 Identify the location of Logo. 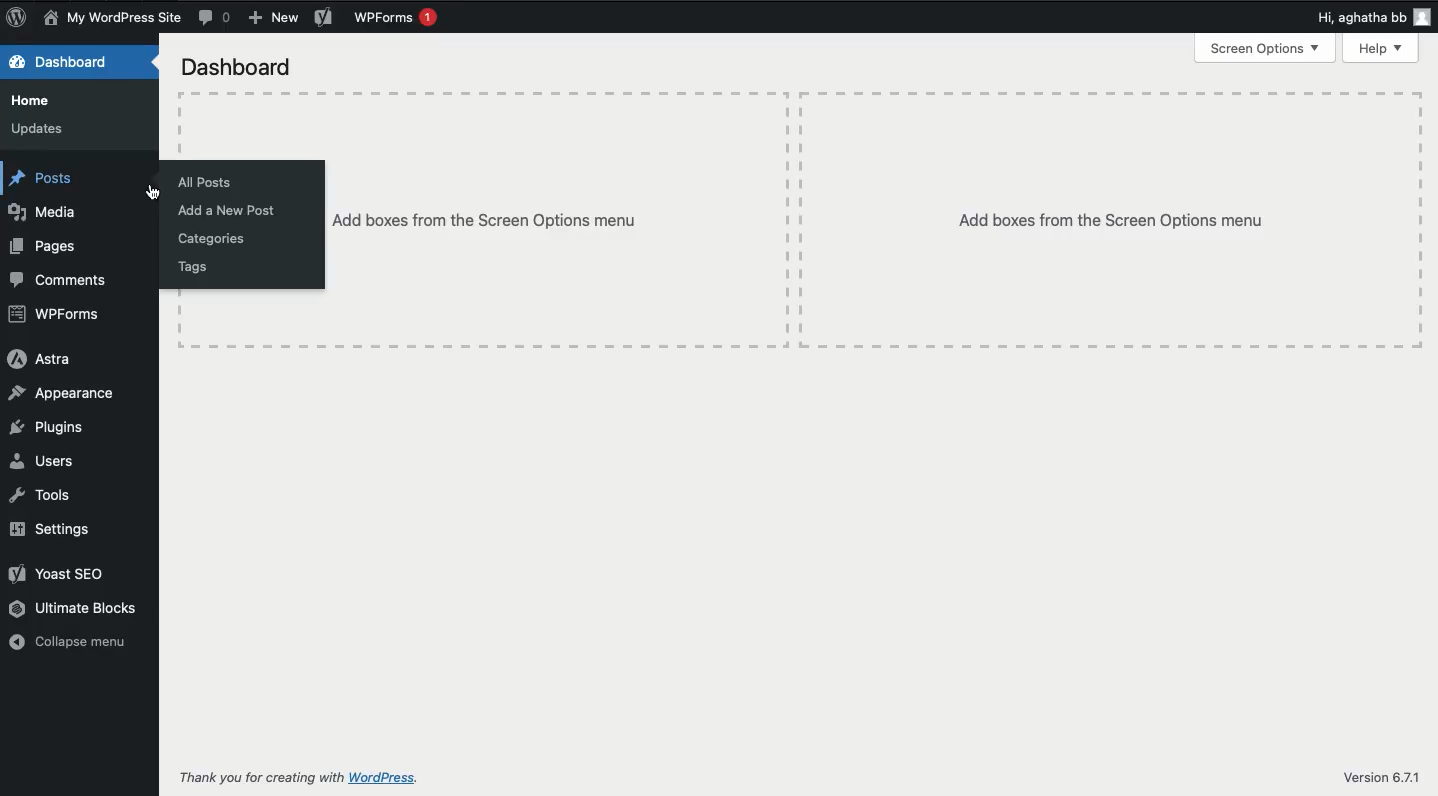
(18, 19).